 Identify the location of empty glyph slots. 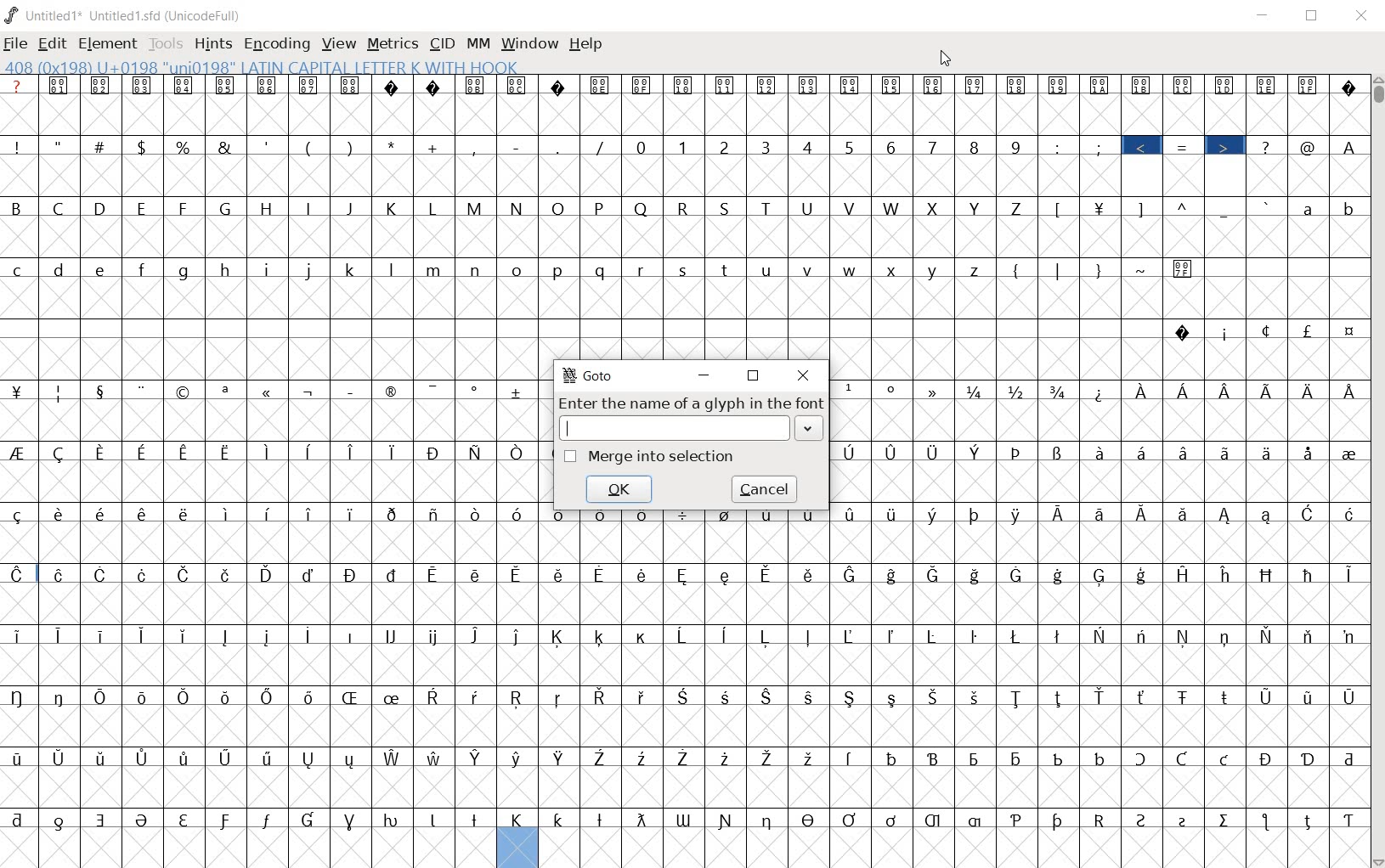
(685, 300).